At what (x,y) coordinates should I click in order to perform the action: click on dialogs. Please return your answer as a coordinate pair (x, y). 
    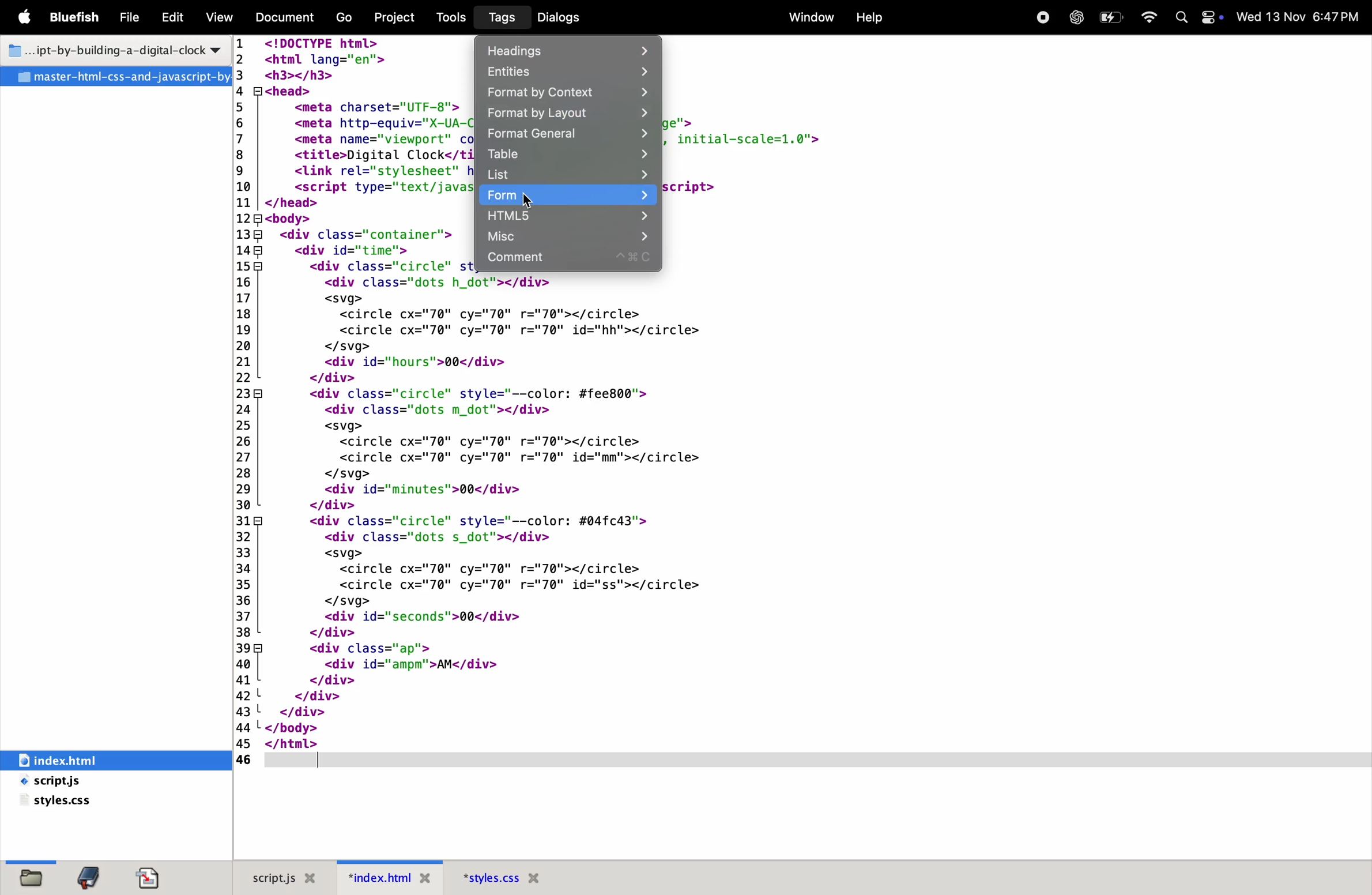
    Looking at the image, I should click on (574, 16).